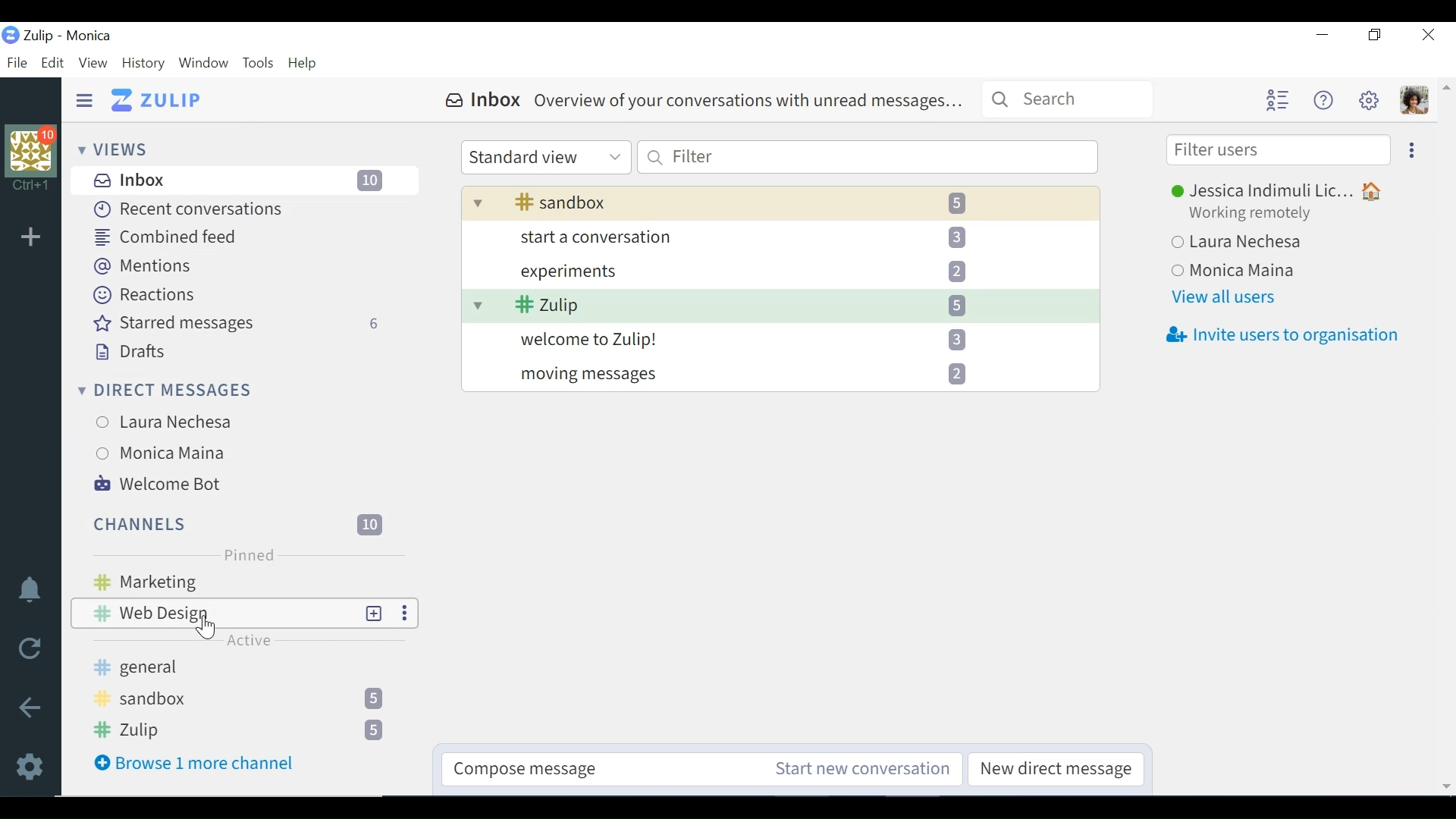 Image resolution: width=1456 pixels, height=819 pixels. Describe the element at coordinates (1068, 99) in the screenshot. I see `Search bar` at that location.